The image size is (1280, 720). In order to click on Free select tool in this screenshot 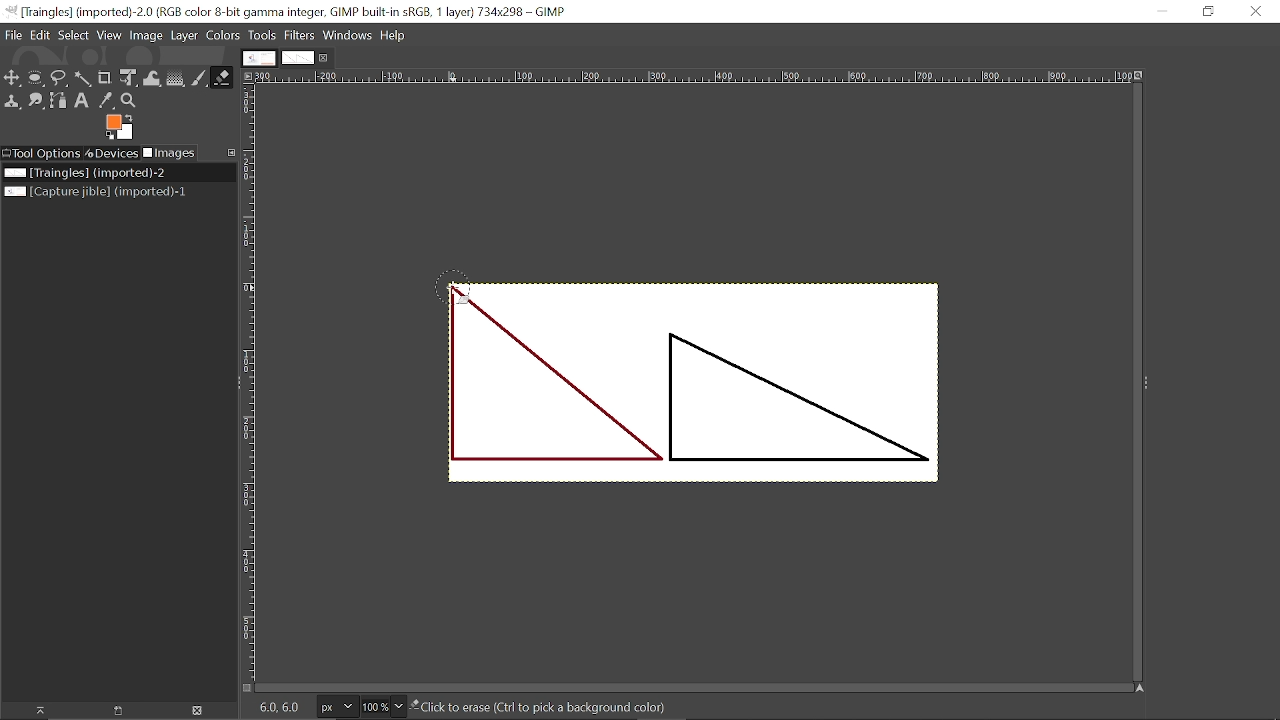, I will do `click(58, 79)`.